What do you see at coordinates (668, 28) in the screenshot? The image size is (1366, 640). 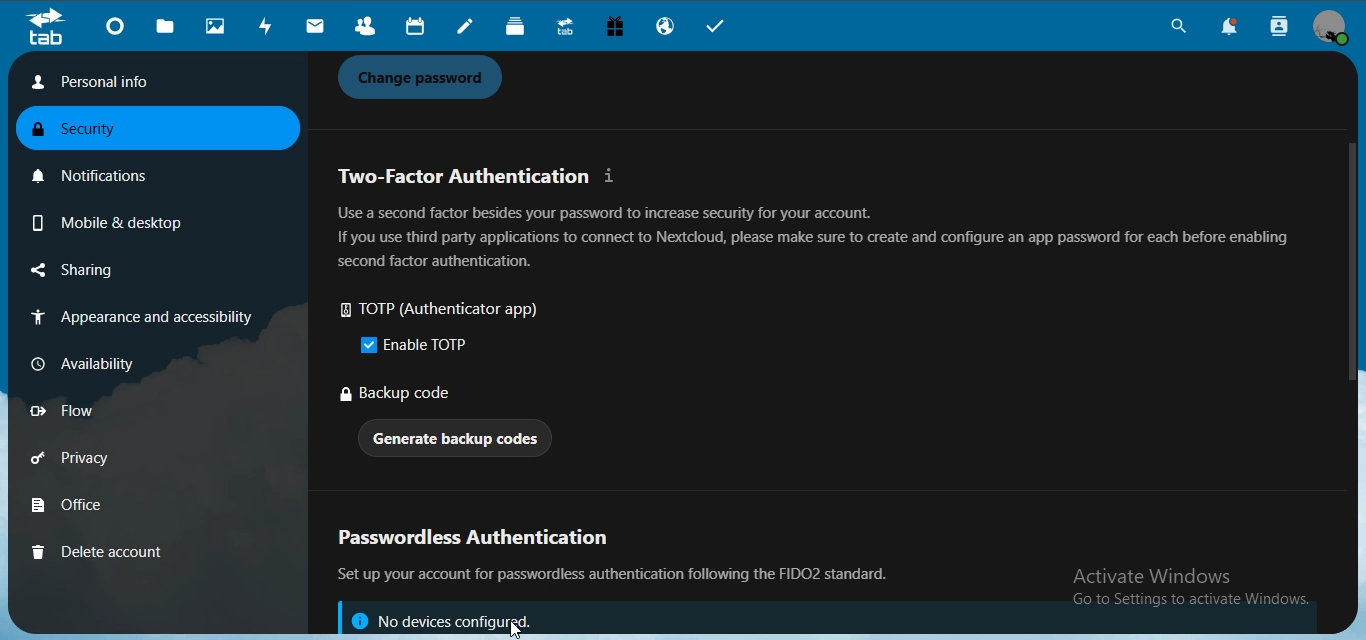 I see `email hosting` at bounding box center [668, 28].